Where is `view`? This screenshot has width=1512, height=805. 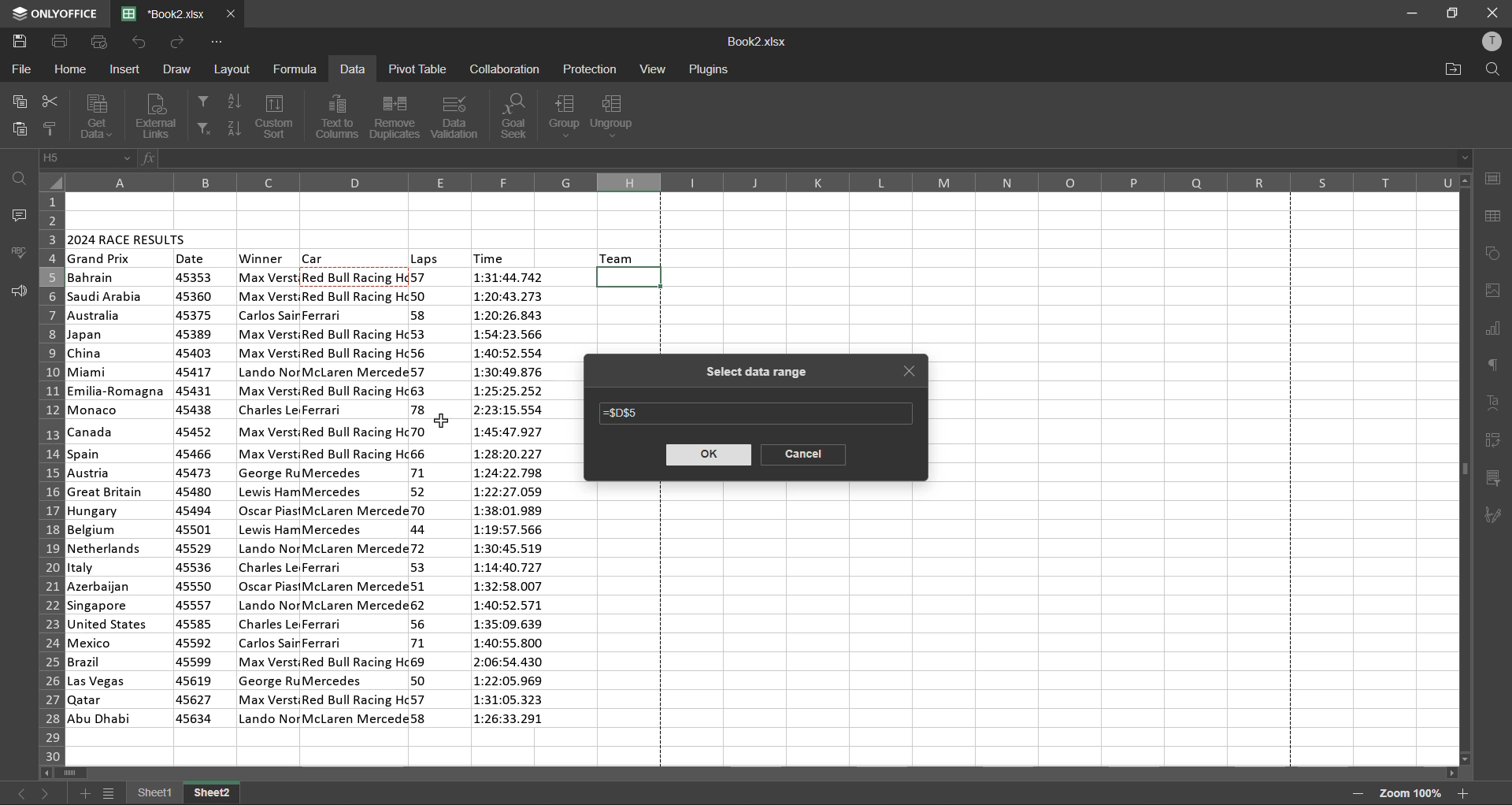
view is located at coordinates (652, 69).